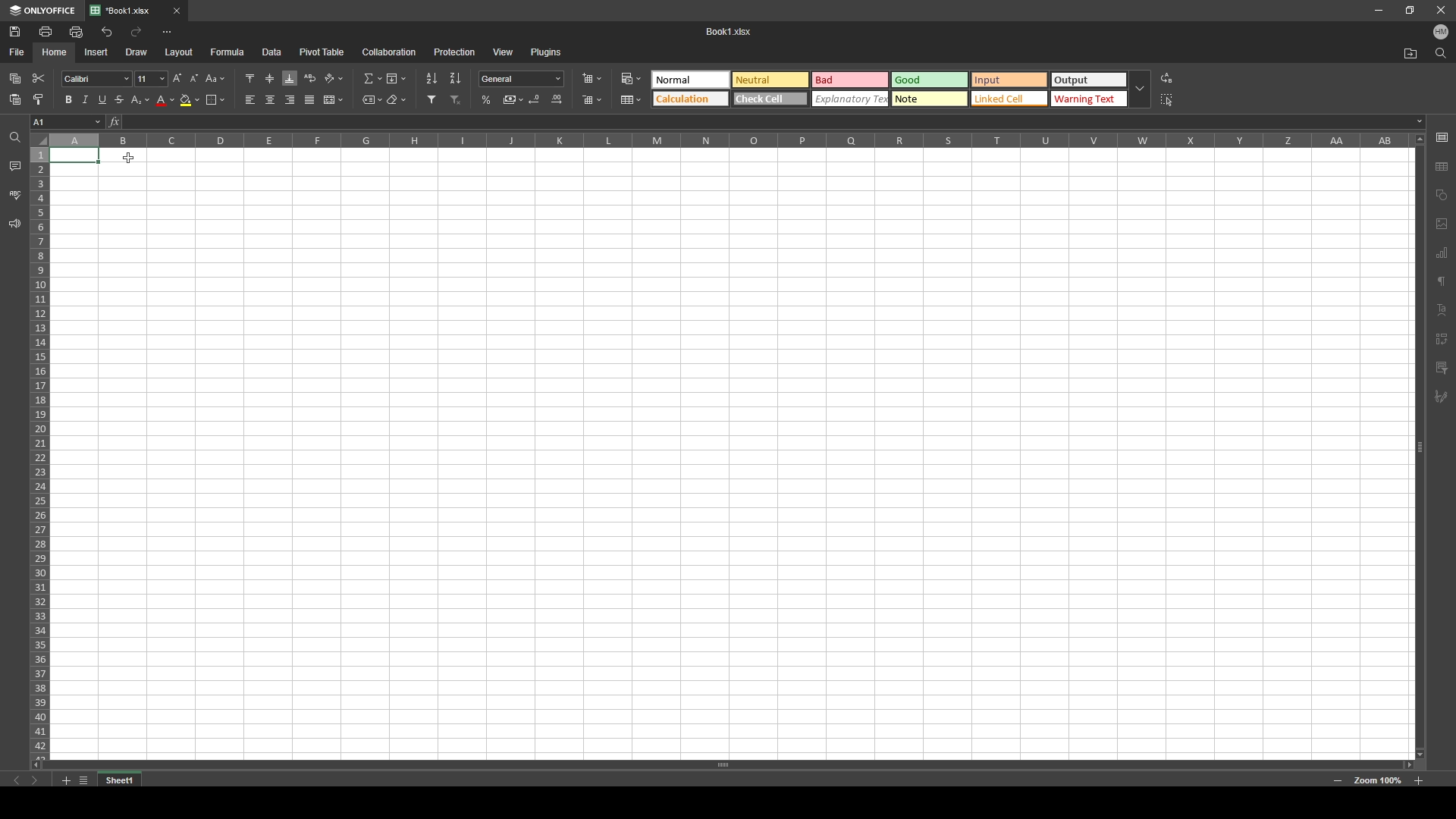 The image size is (1456, 819). Describe the element at coordinates (769, 79) in the screenshot. I see `Natural` at that location.